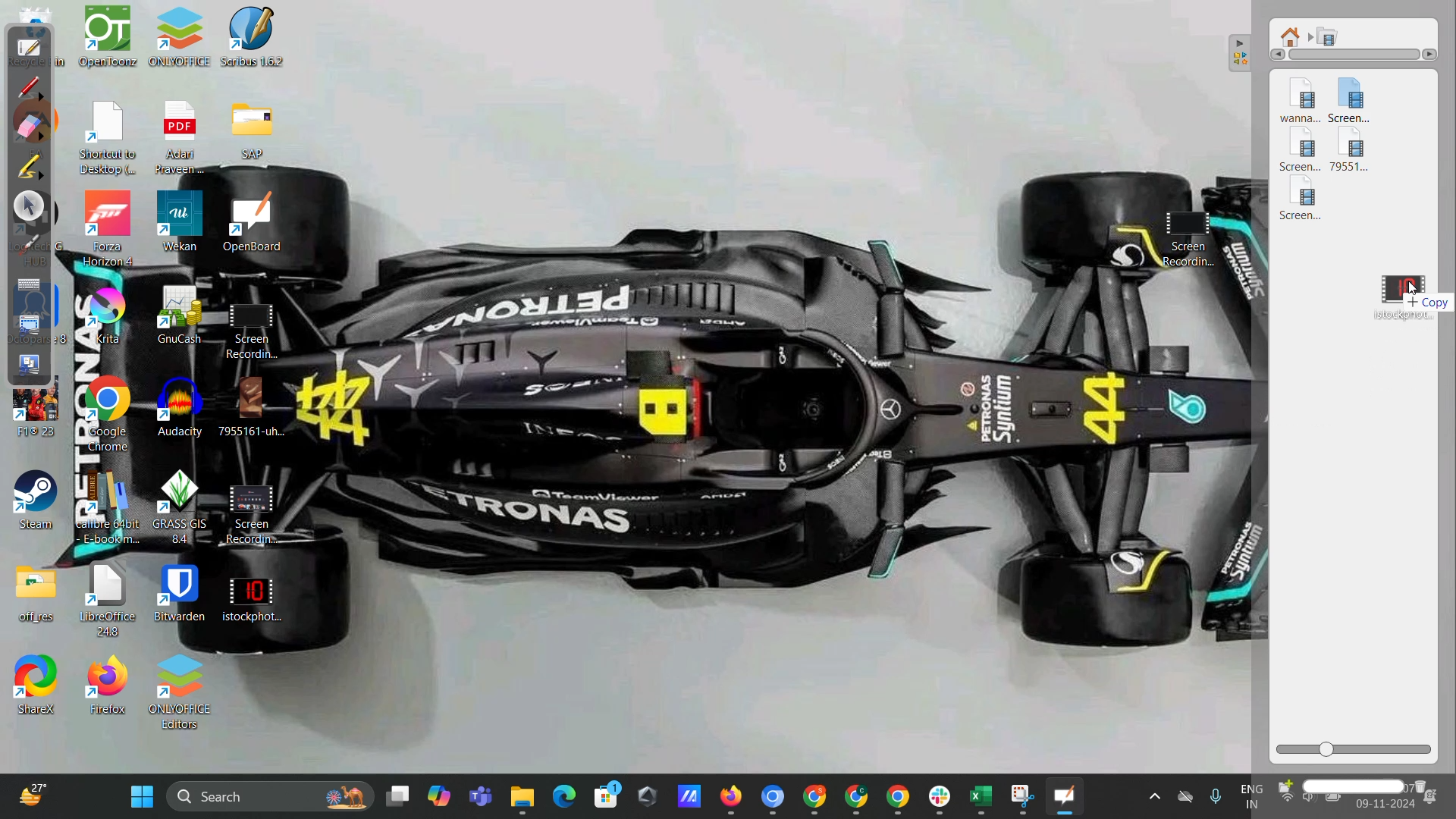  What do you see at coordinates (175, 409) in the screenshot?
I see `Audacity` at bounding box center [175, 409].